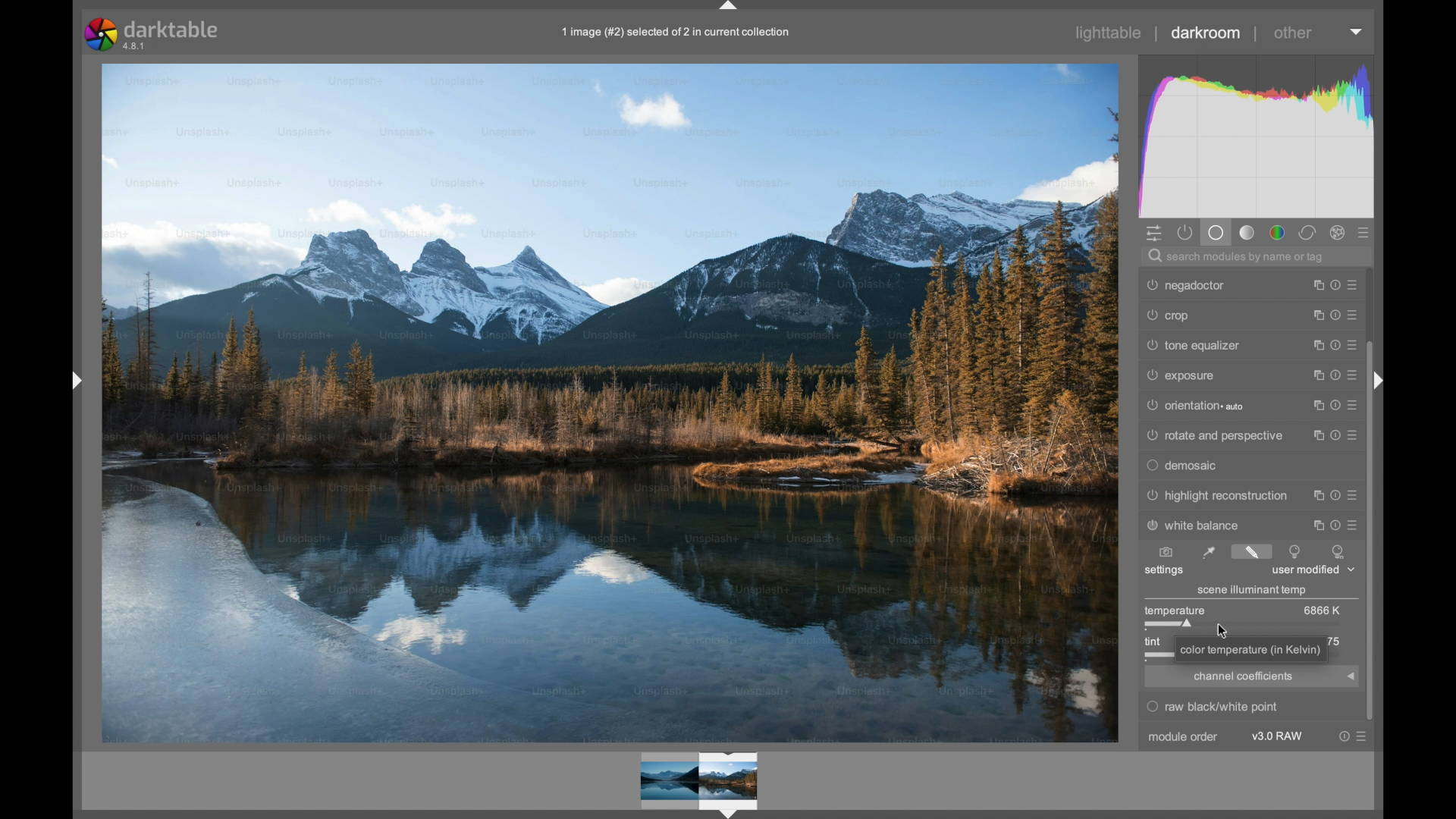 This screenshot has height=819, width=1456. What do you see at coordinates (1336, 371) in the screenshot?
I see `reset parameters` at bounding box center [1336, 371].